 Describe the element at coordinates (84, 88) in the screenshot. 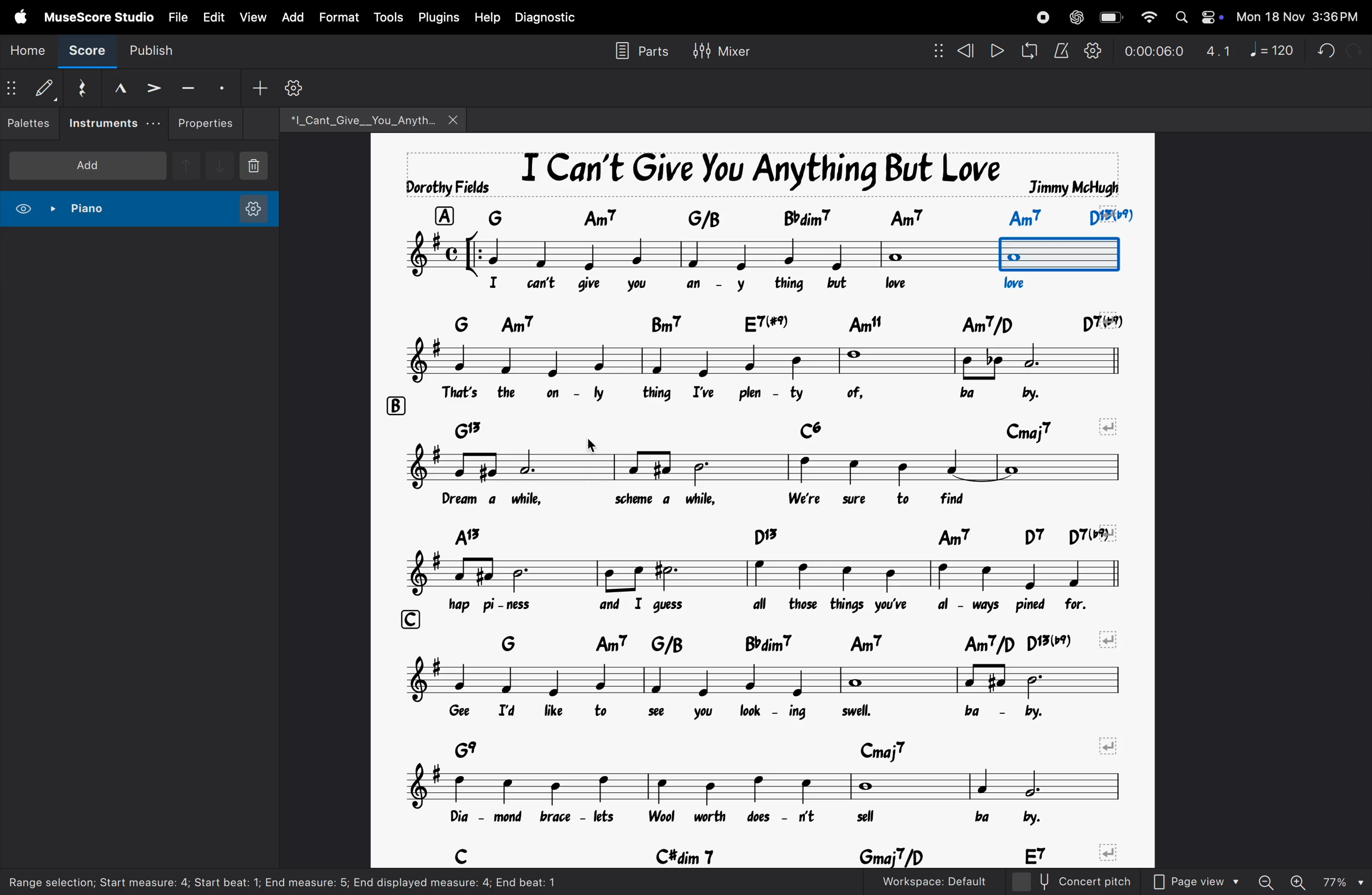

I see `reset` at that location.